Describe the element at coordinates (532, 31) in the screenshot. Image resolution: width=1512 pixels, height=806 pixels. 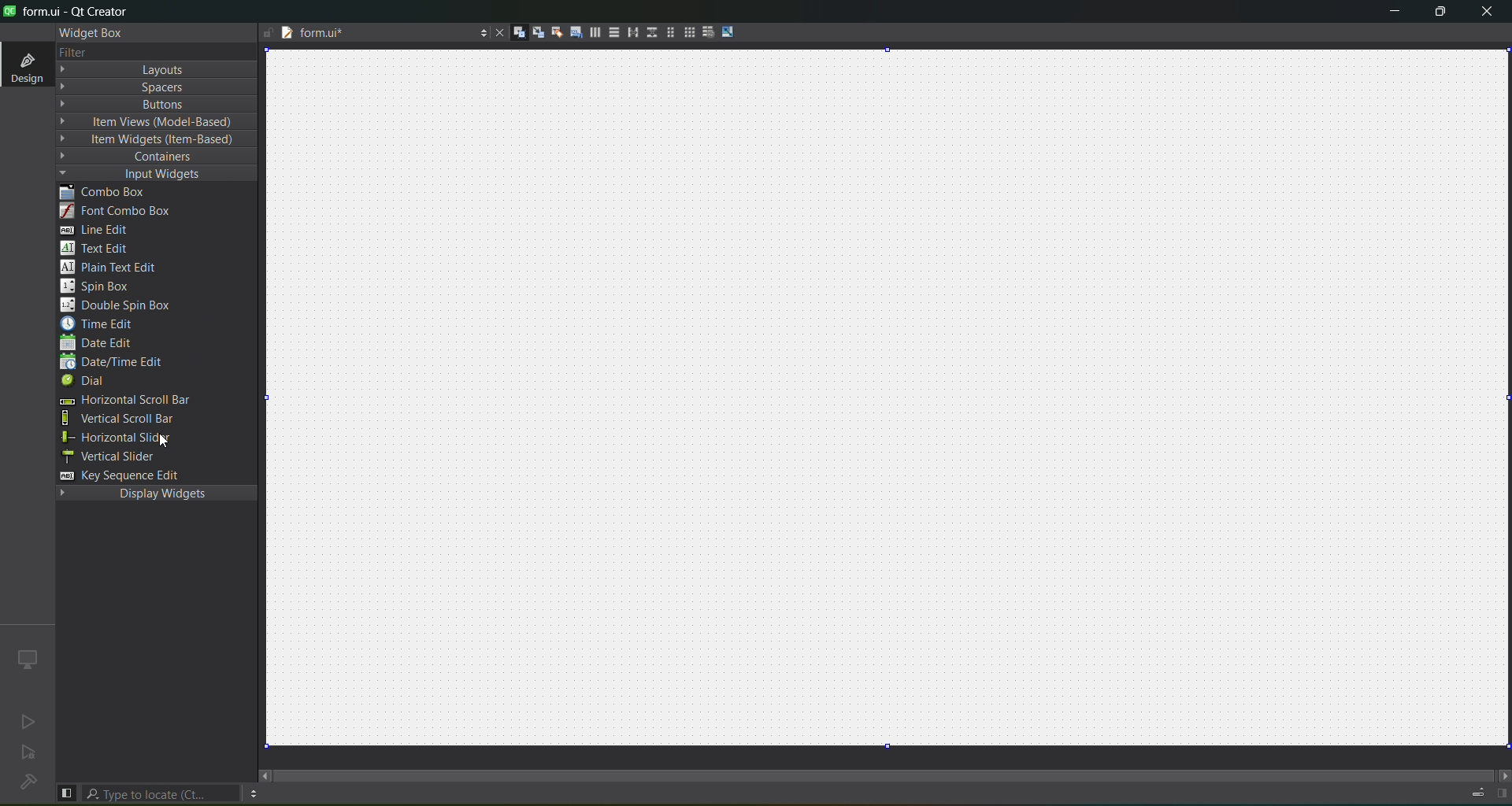
I see `signals` at that location.